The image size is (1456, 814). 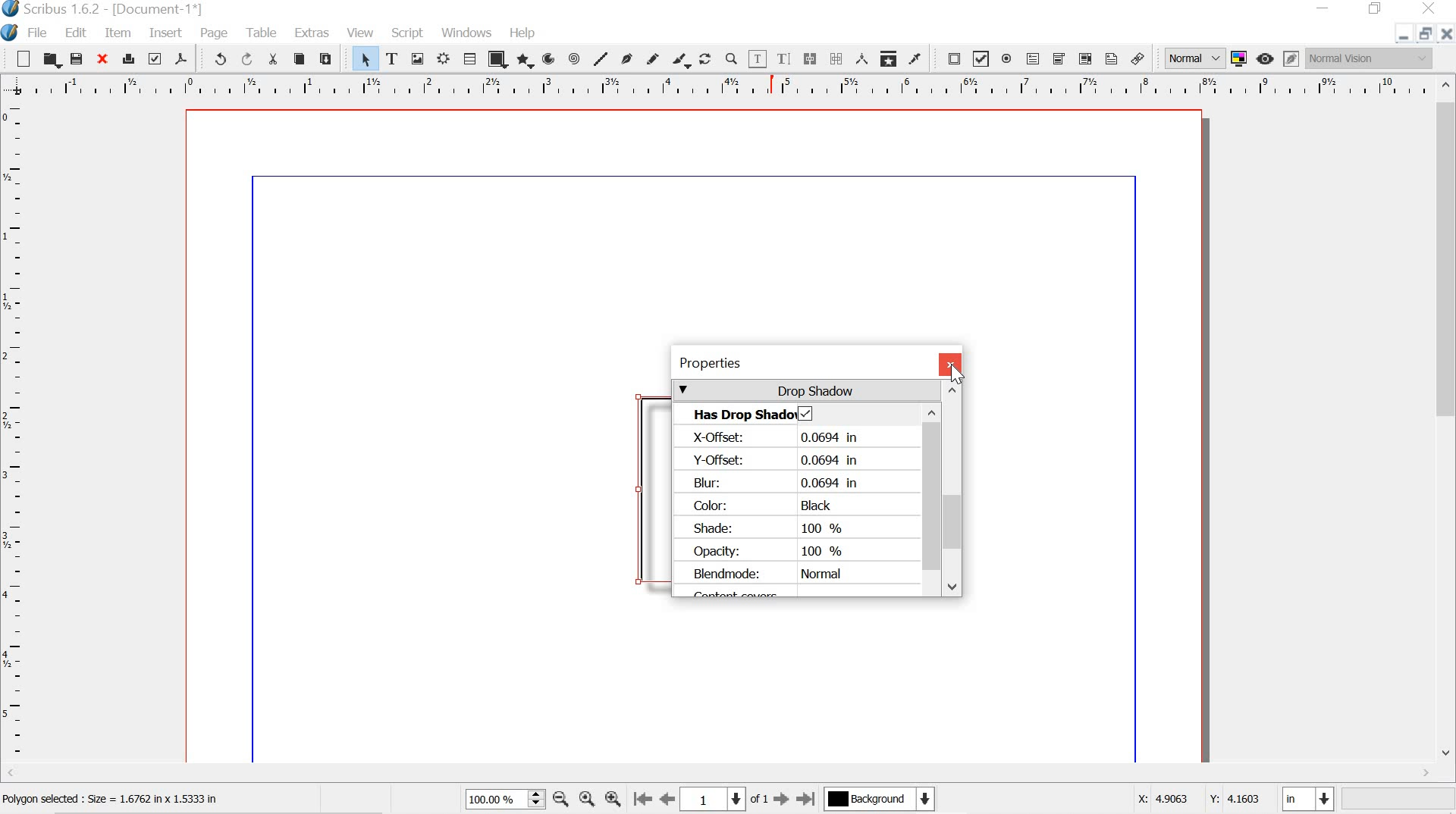 What do you see at coordinates (949, 58) in the screenshot?
I see `pdf push button` at bounding box center [949, 58].